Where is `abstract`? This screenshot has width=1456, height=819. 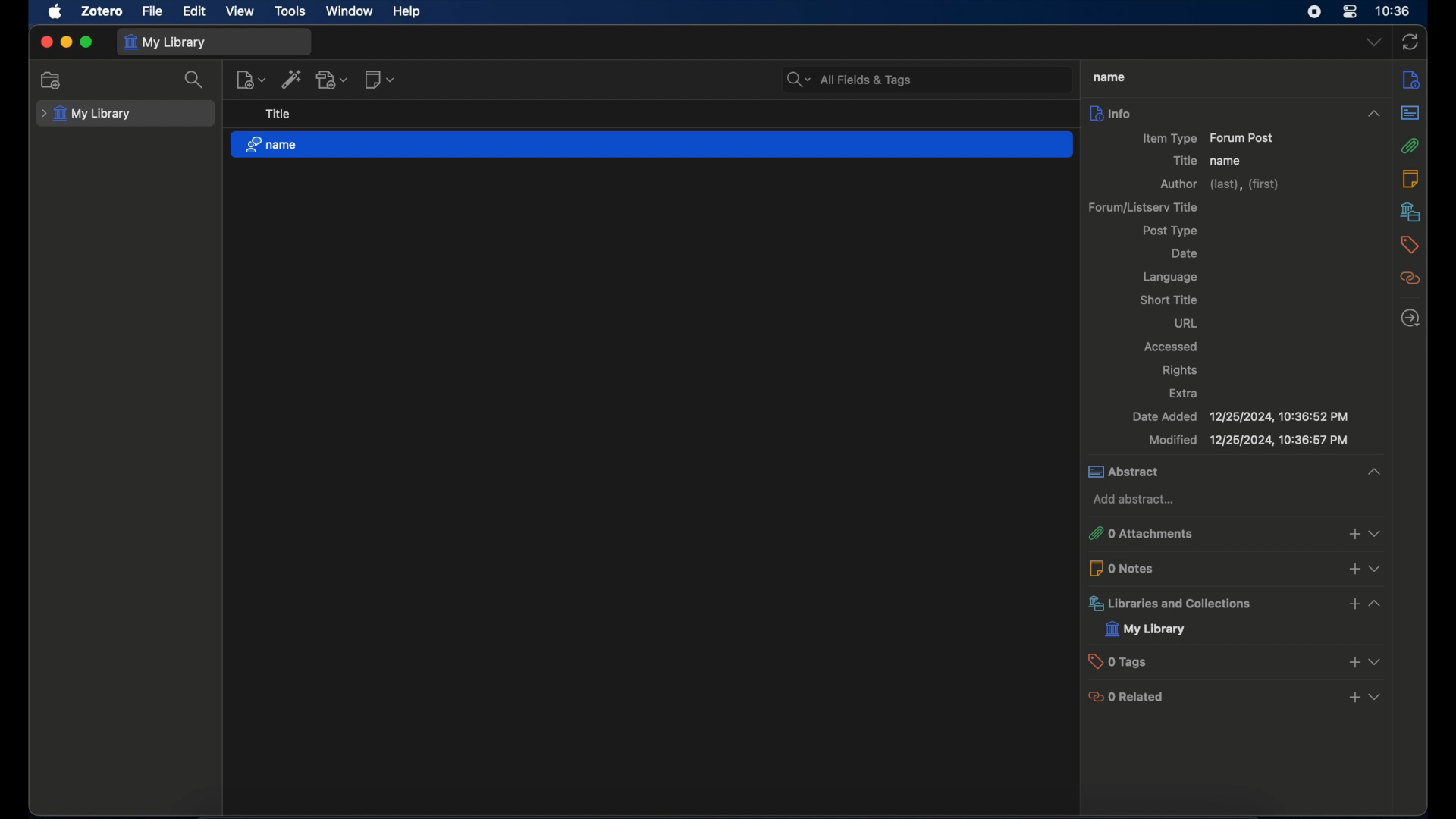
abstract is located at coordinates (1411, 113).